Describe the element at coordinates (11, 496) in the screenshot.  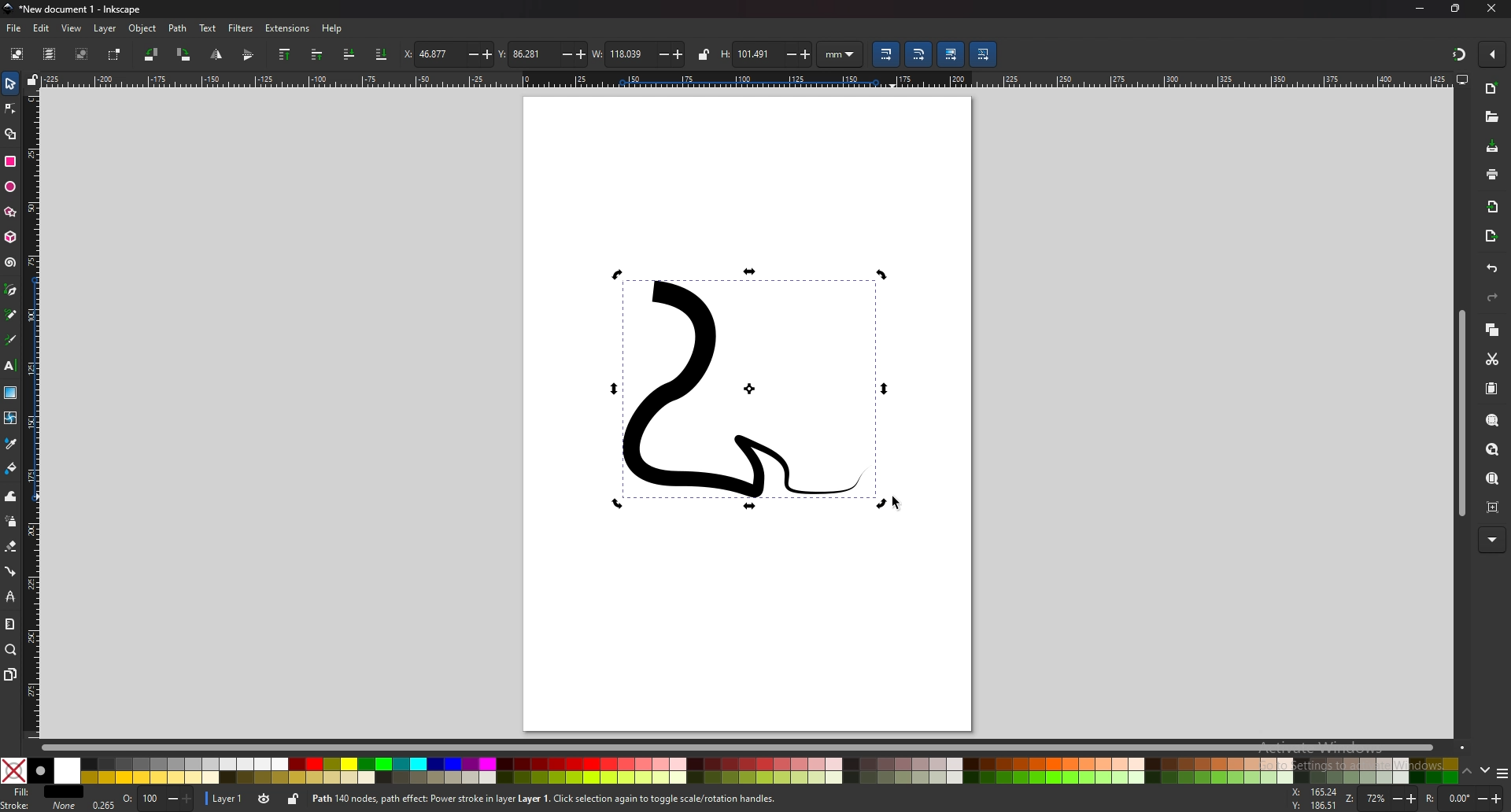
I see `tweak` at that location.